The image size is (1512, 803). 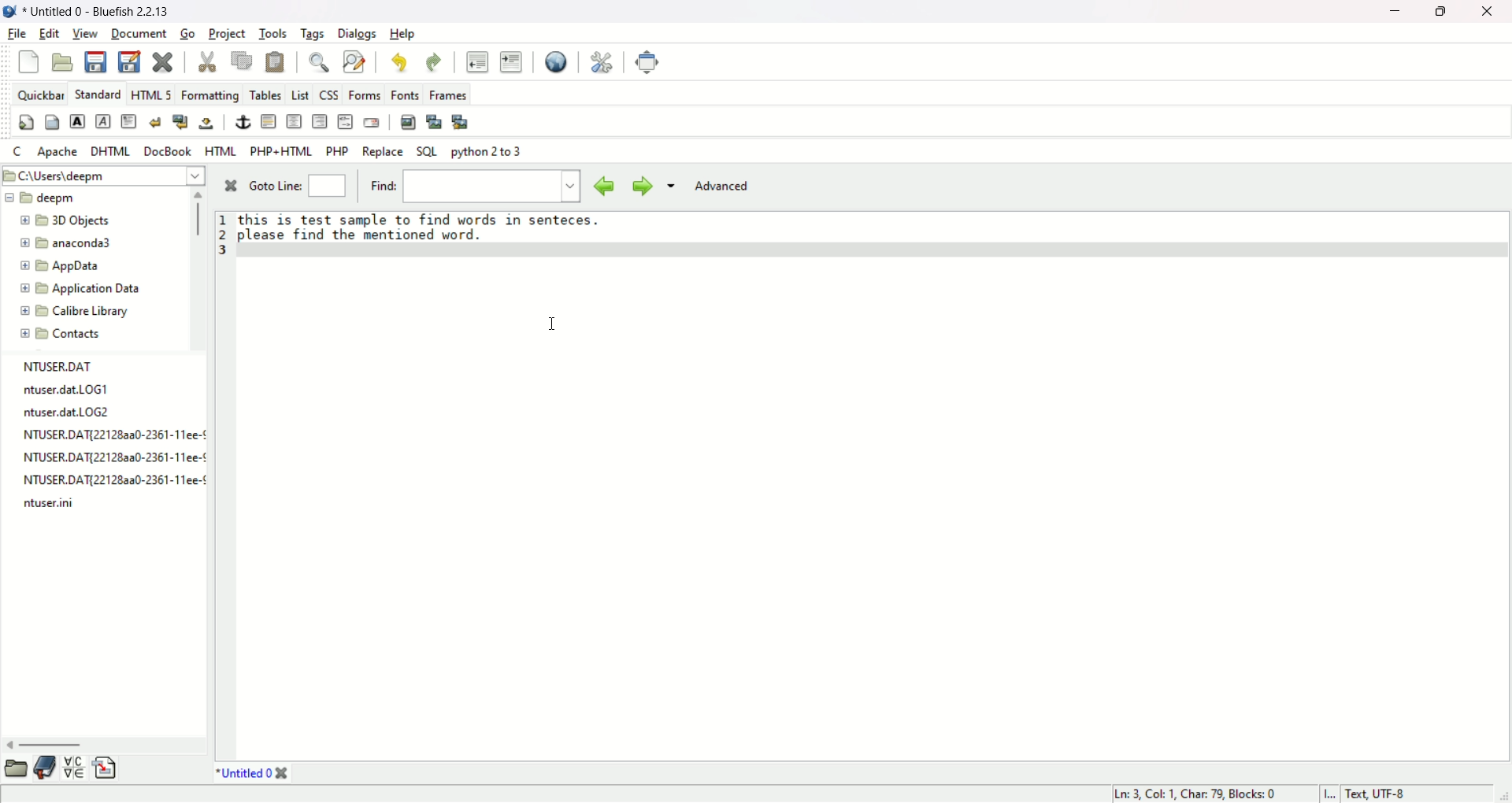 I want to click on copy, so click(x=243, y=60).